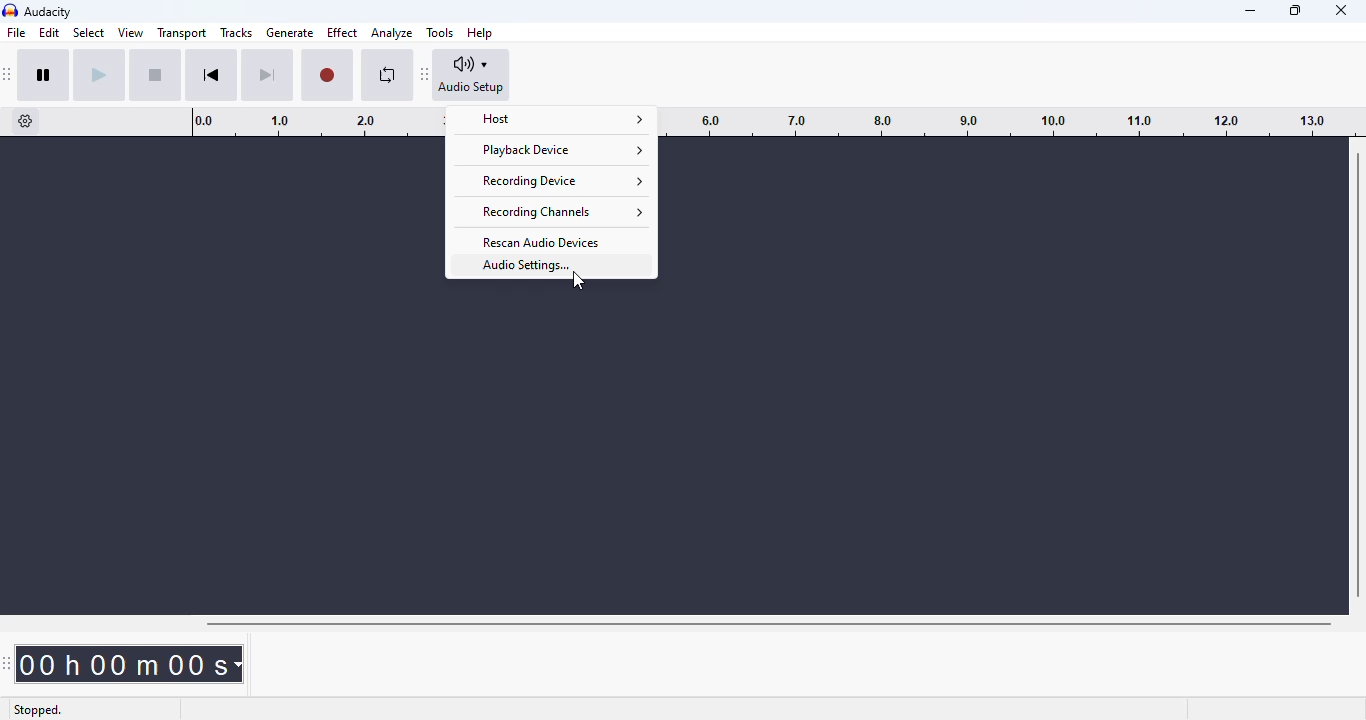 Image resolution: width=1366 pixels, height=720 pixels. Describe the element at coordinates (134, 663) in the screenshot. I see `time` at that location.